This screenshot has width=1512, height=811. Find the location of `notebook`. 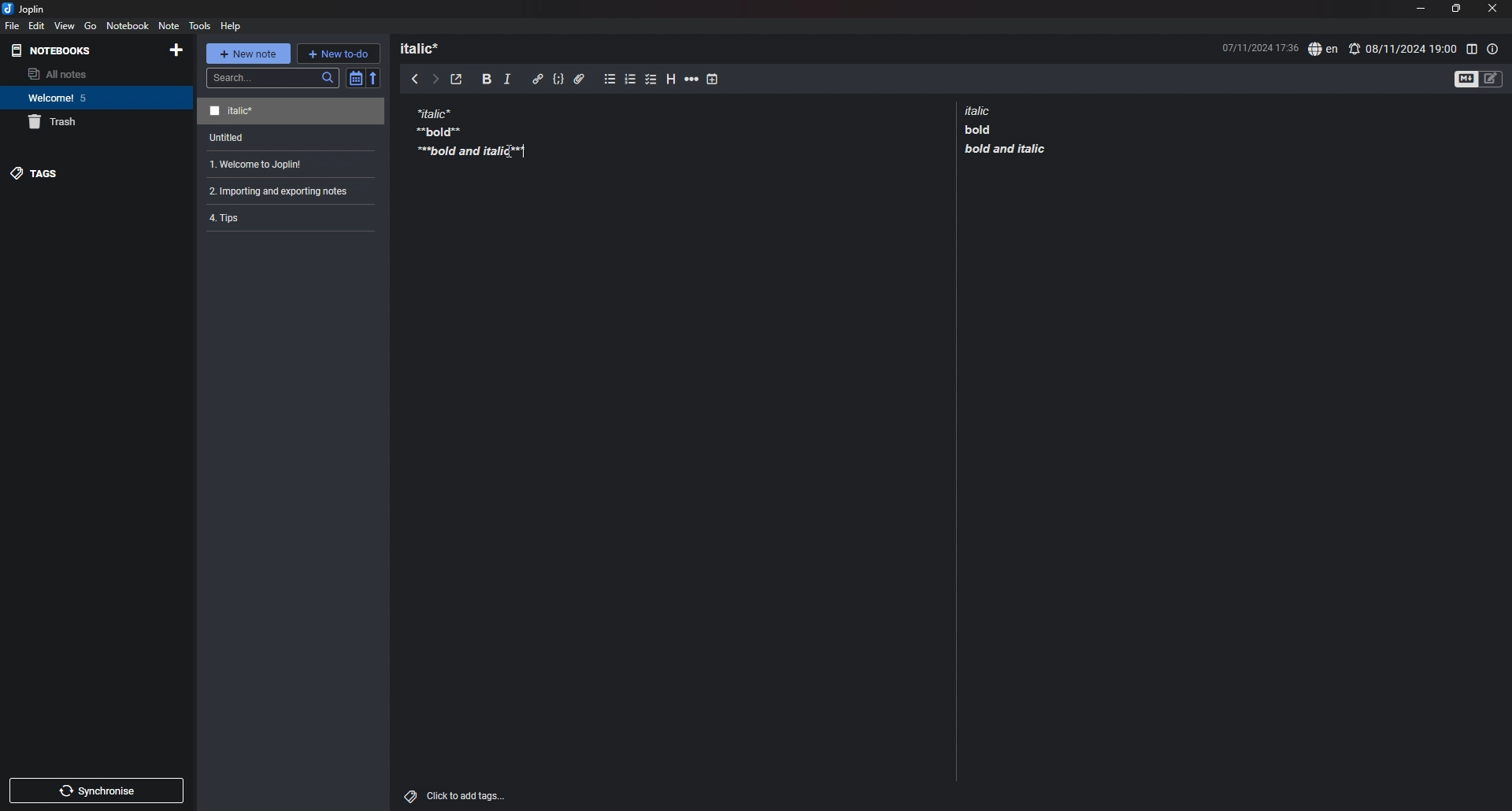

notebook is located at coordinates (128, 25).